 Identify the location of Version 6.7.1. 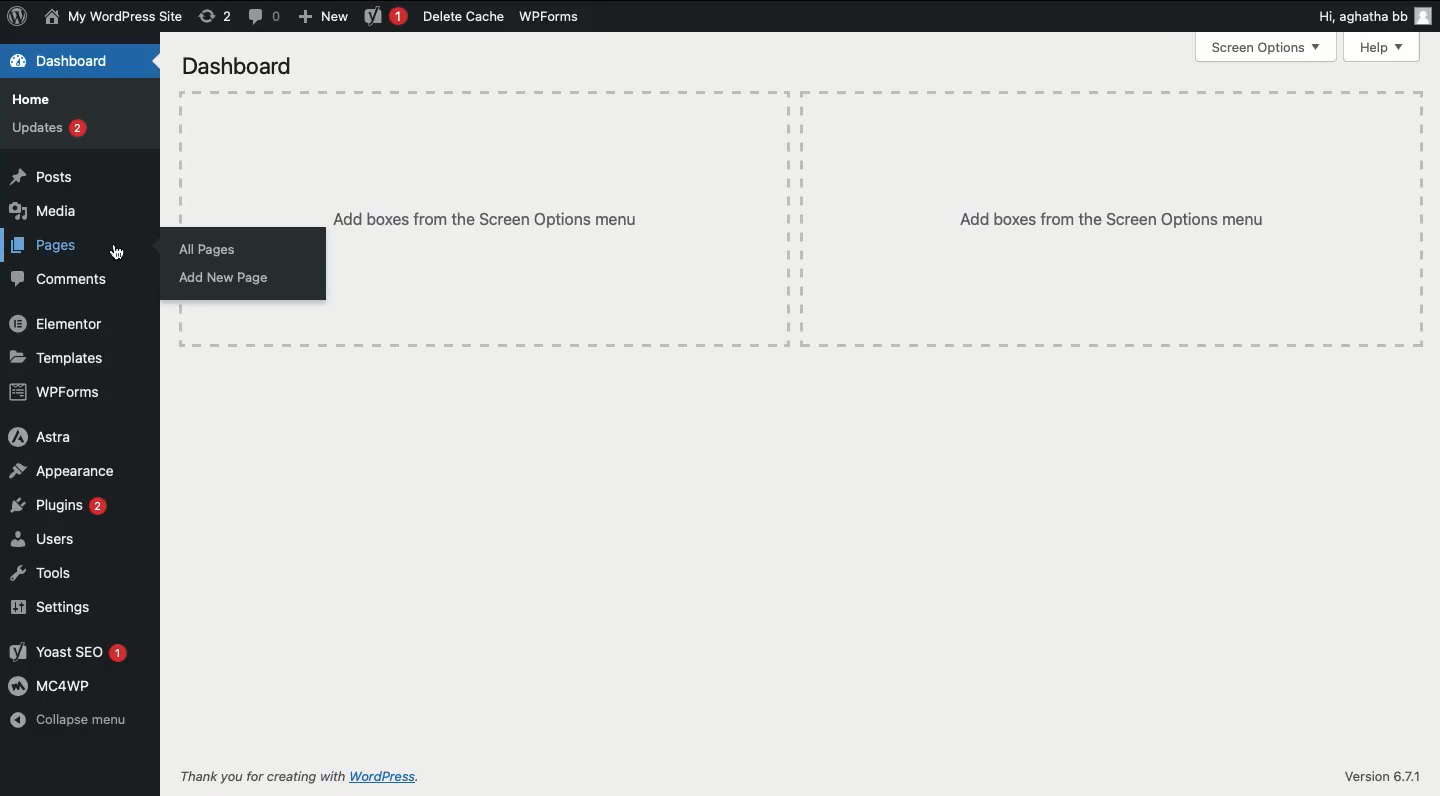
(1381, 771).